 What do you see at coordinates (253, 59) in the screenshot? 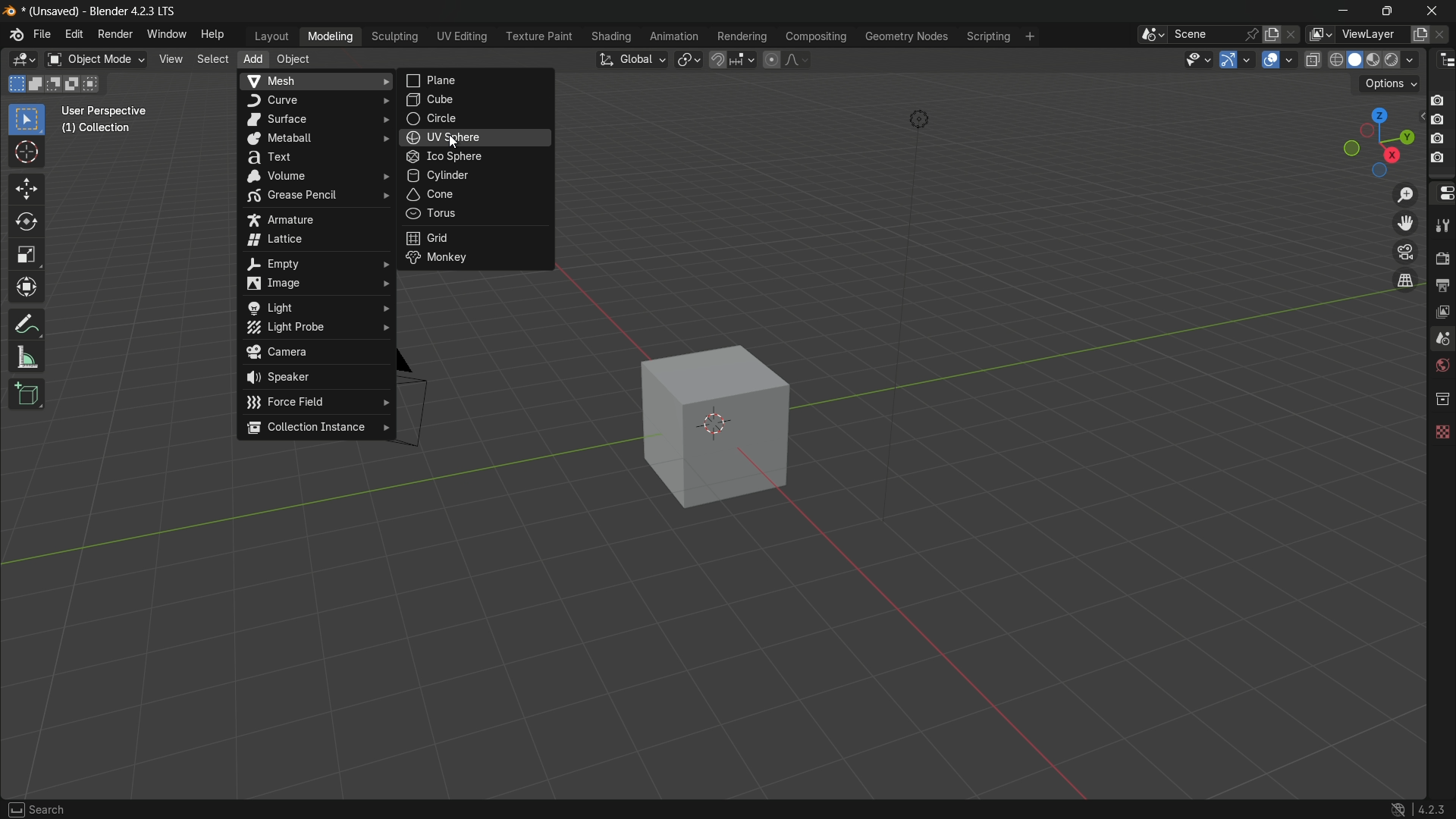
I see `add` at bounding box center [253, 59].